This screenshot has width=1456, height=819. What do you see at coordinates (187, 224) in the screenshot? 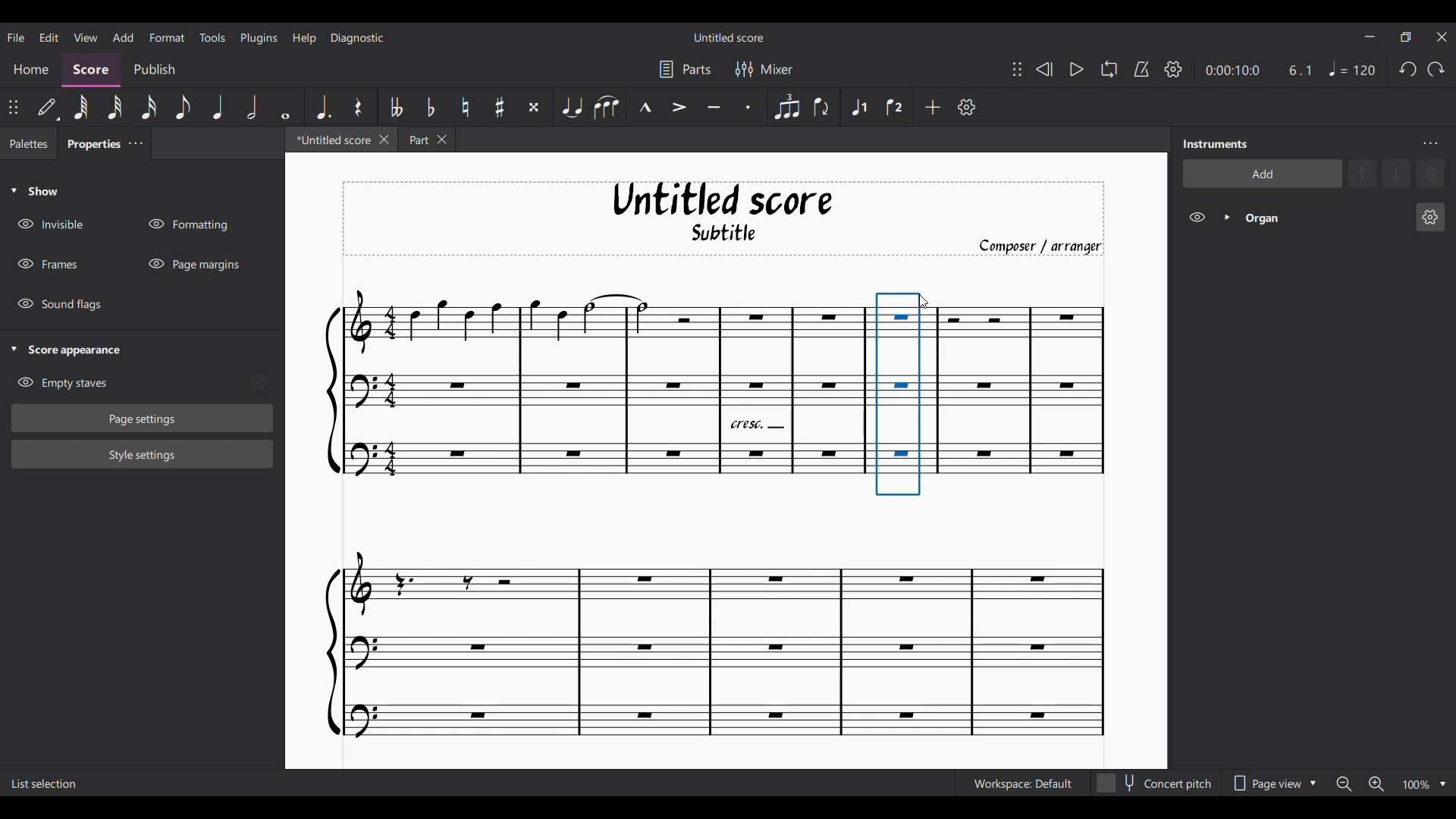
I see `Hide Formatting ` at bounding box center [187, 224].